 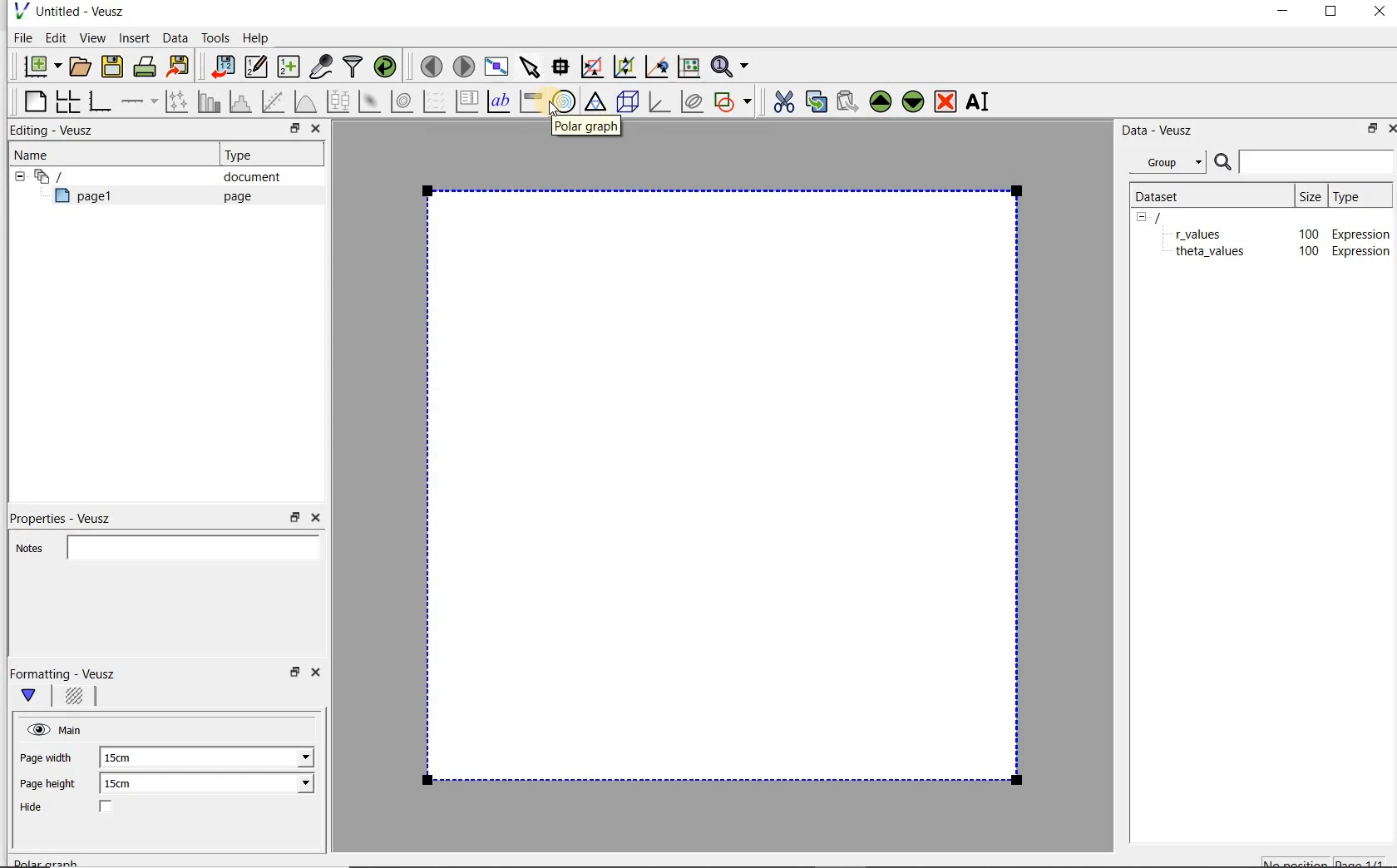 What do you see at coordinates (214, 38) in the screenshot?
I see `Tools` at bounding box center [214, 38].